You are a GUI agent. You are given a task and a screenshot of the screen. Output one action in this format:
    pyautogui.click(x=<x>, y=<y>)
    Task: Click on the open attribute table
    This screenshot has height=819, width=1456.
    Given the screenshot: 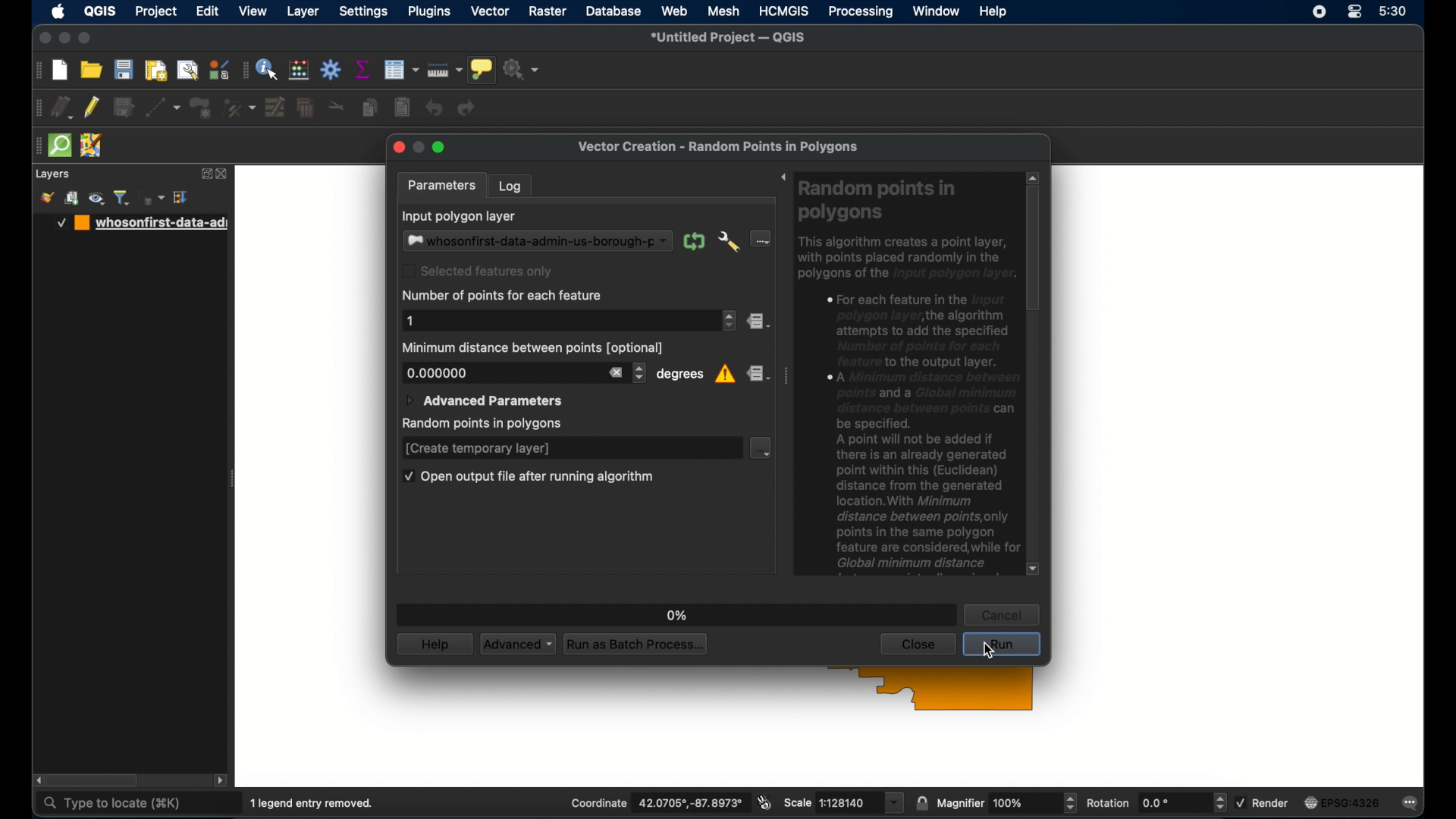 What is the action you would take?
    pyautogui.click(x=400, y=70)
    